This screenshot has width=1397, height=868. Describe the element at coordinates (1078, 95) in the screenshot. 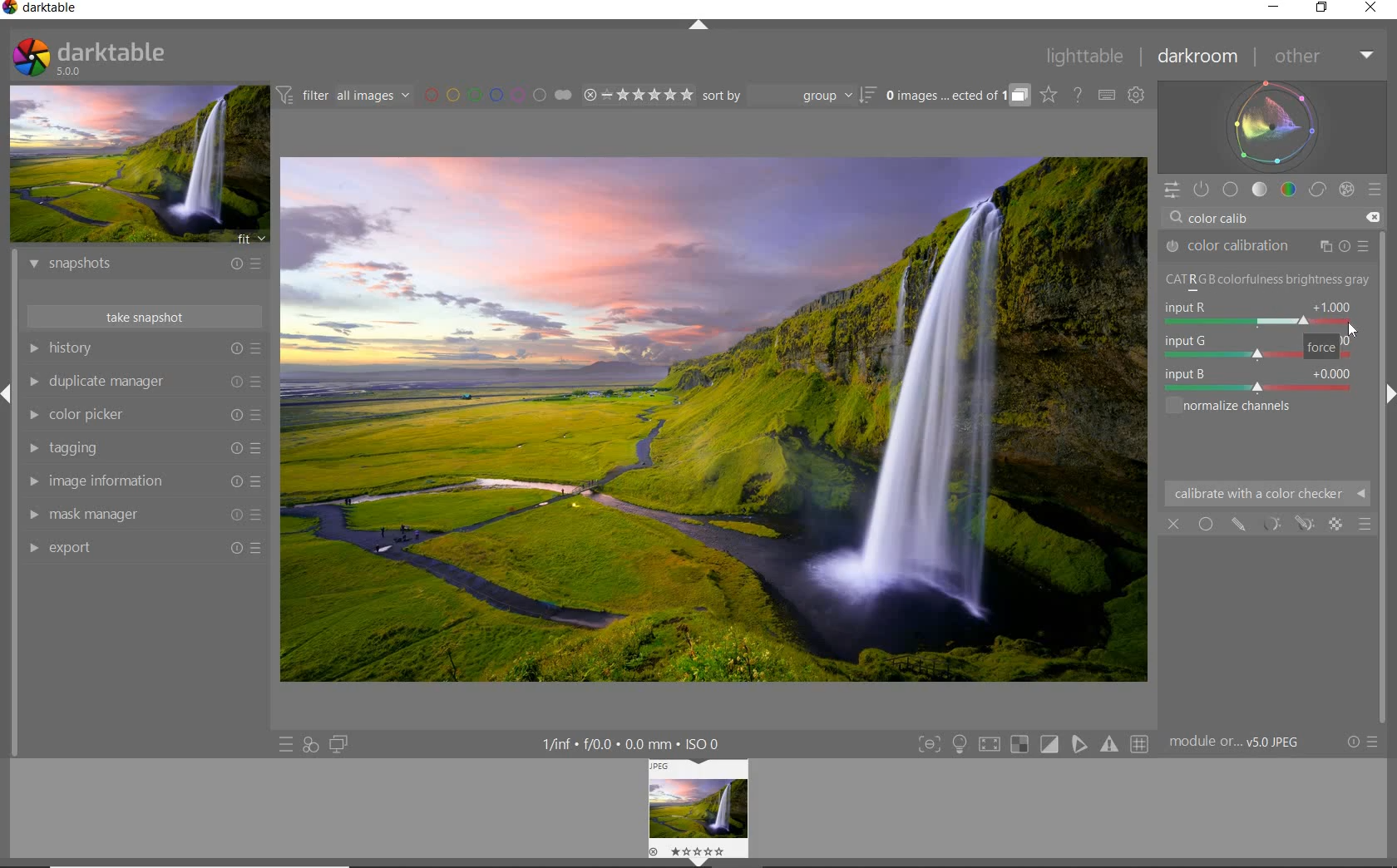

I see `HELP ONLINE` at that location.